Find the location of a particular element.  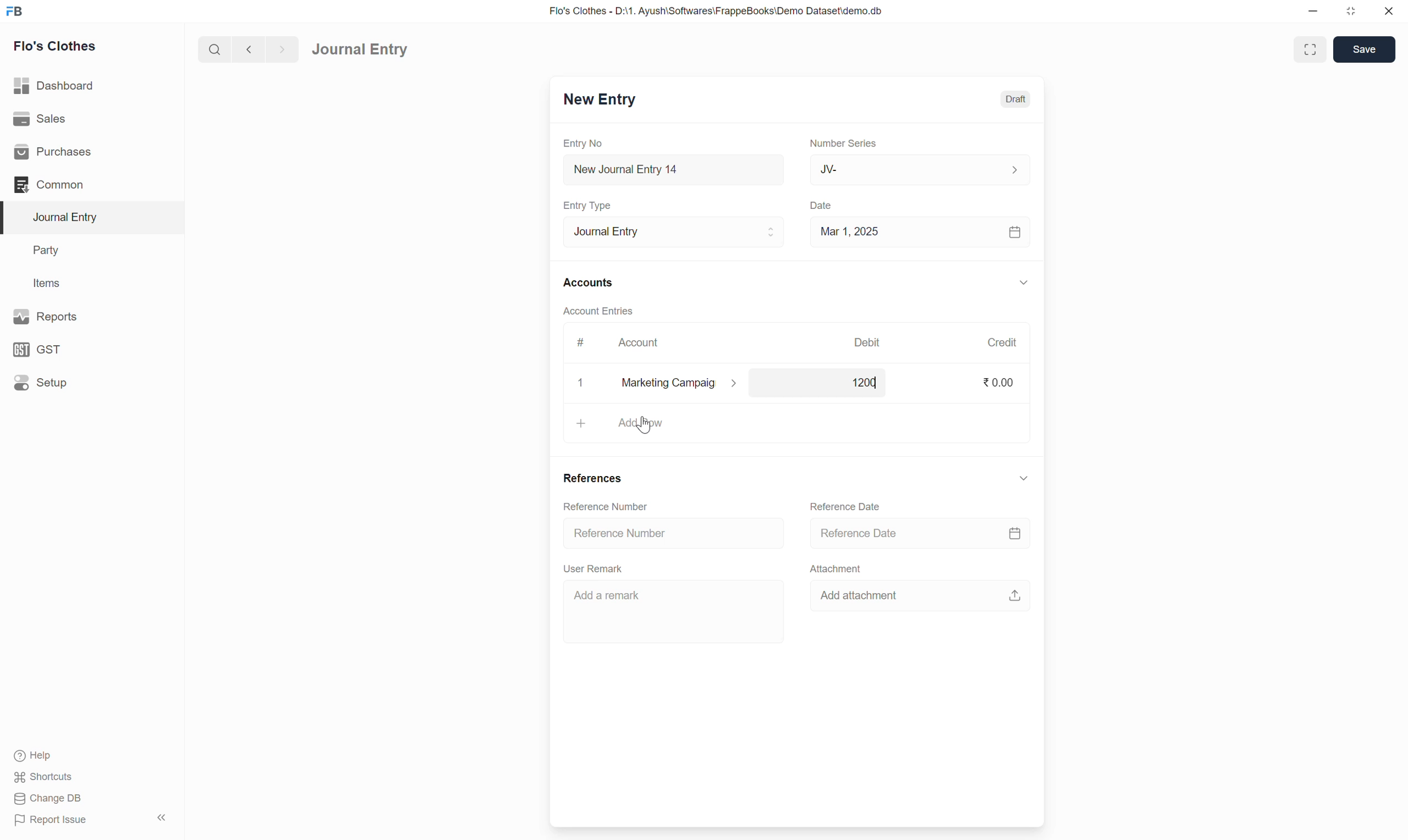

Save is located at coordinates (1365, 50).